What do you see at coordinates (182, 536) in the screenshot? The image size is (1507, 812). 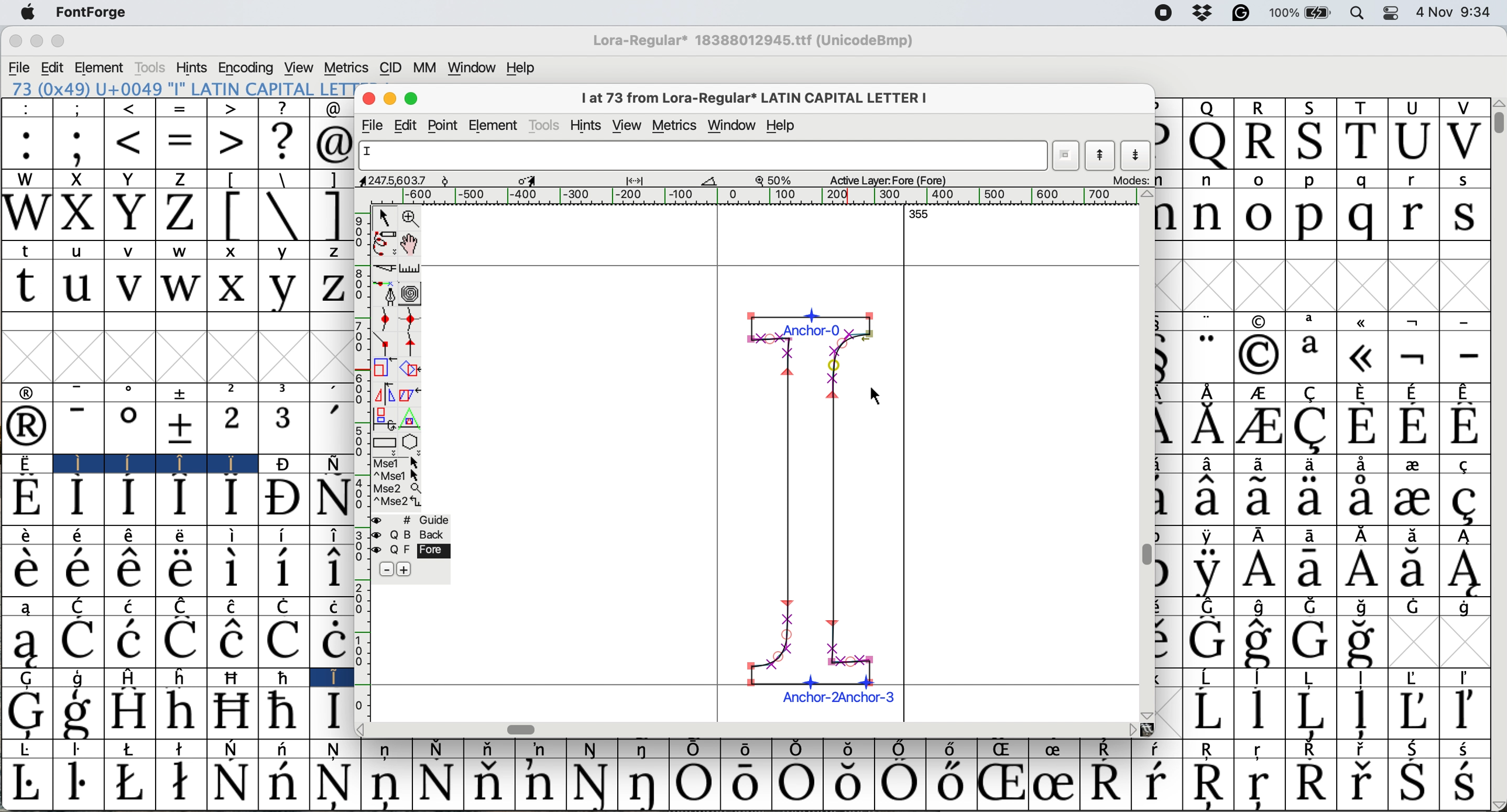 I see `Symbol` at bounding box center [182, 536].